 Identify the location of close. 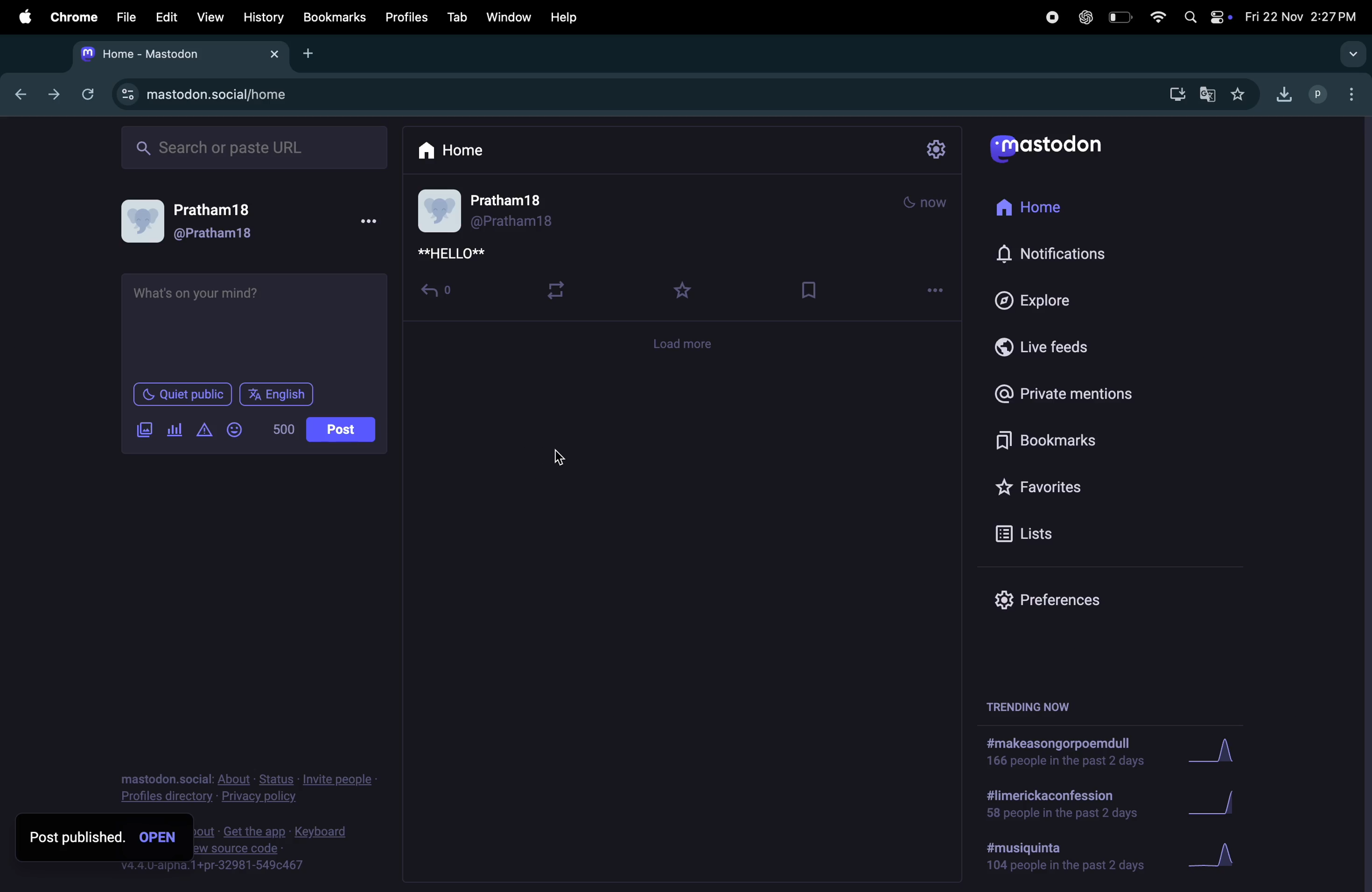
(276, 54).